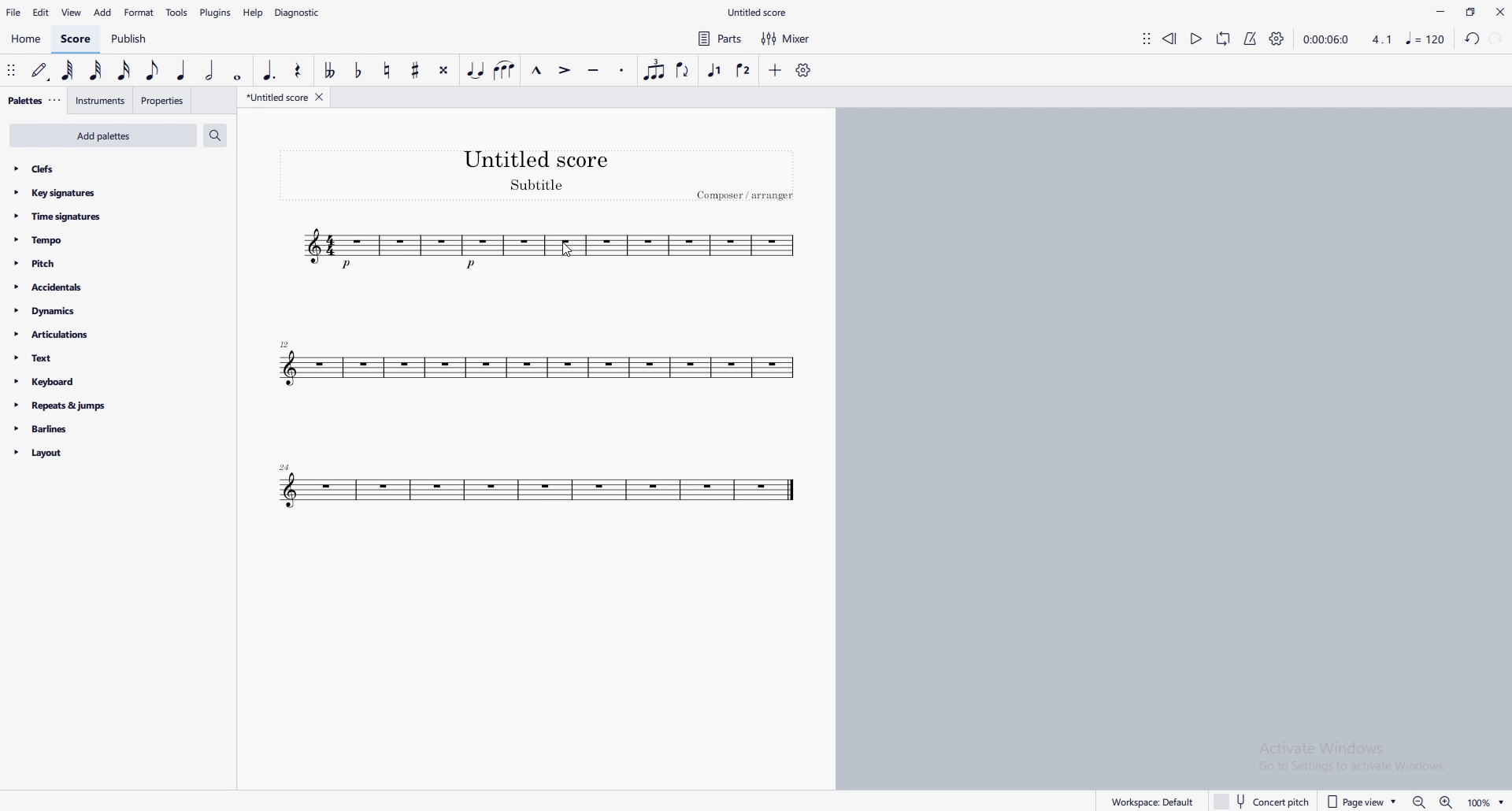 Image resolution: width=1512 pixels, height=811 pixels. I want to click on quarter note, so click(183, 71).